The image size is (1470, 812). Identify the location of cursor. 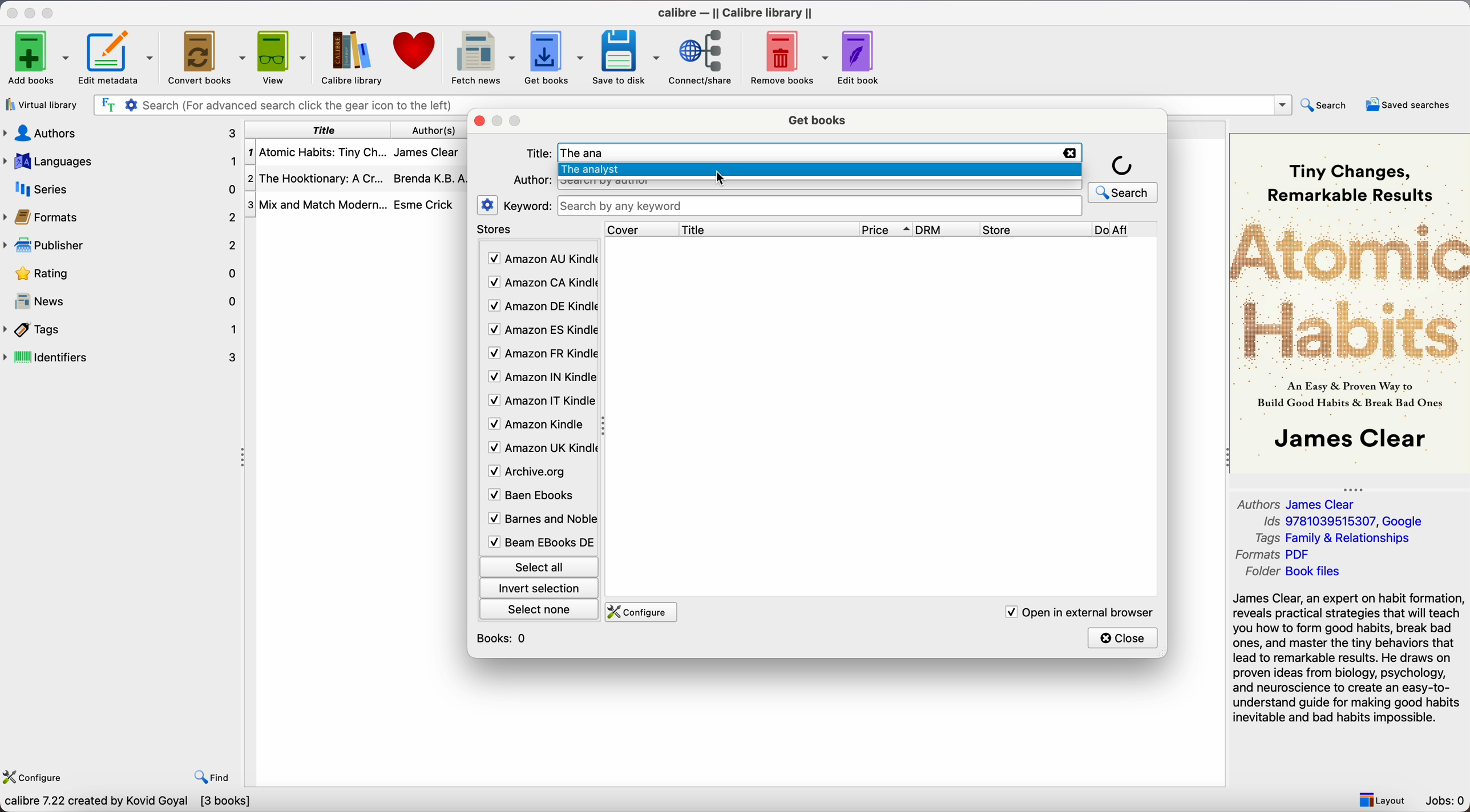
(720, 179).